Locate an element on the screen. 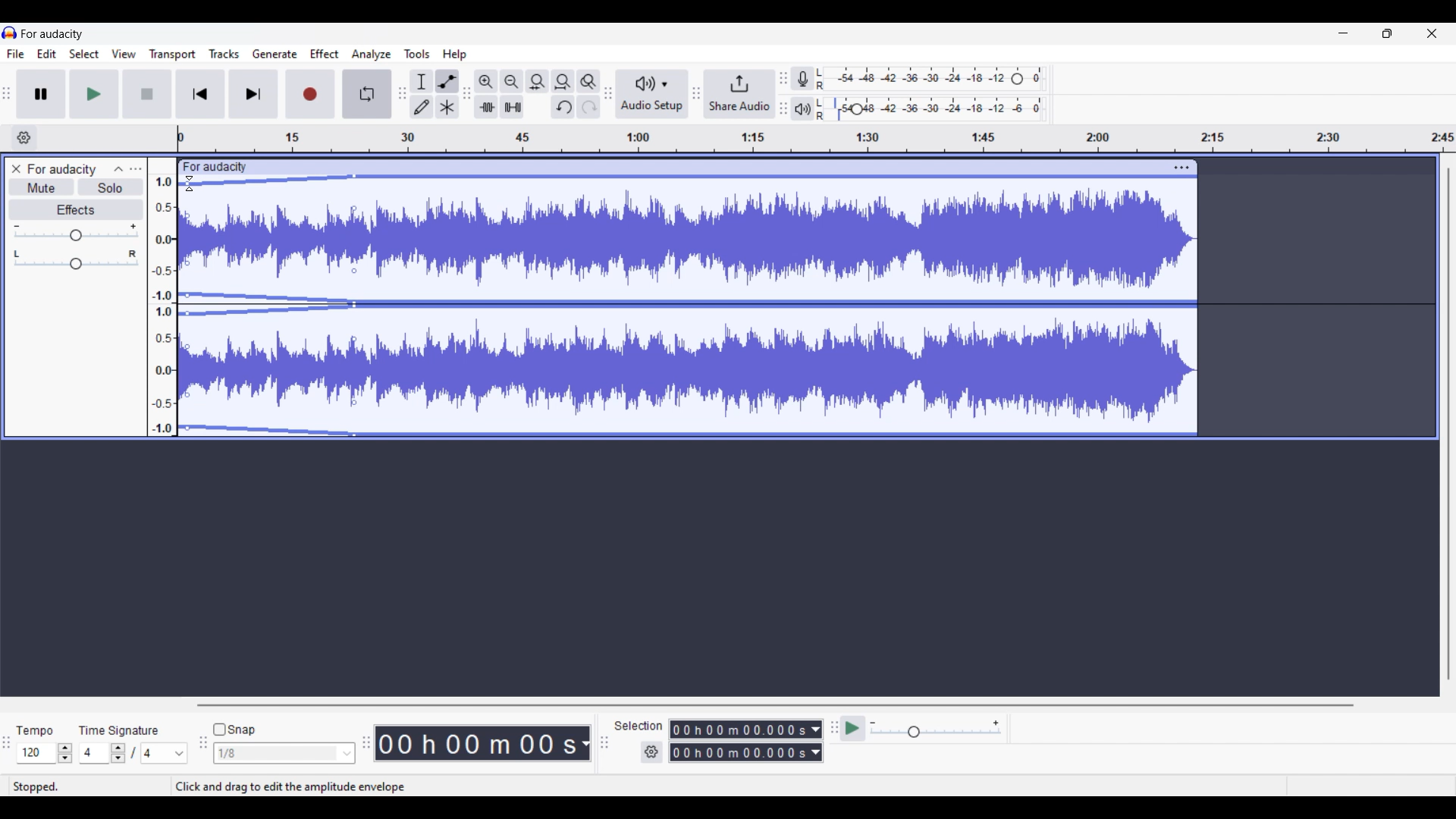 The image size is (1456, 819). Effects is located at coordinates (76, 209).